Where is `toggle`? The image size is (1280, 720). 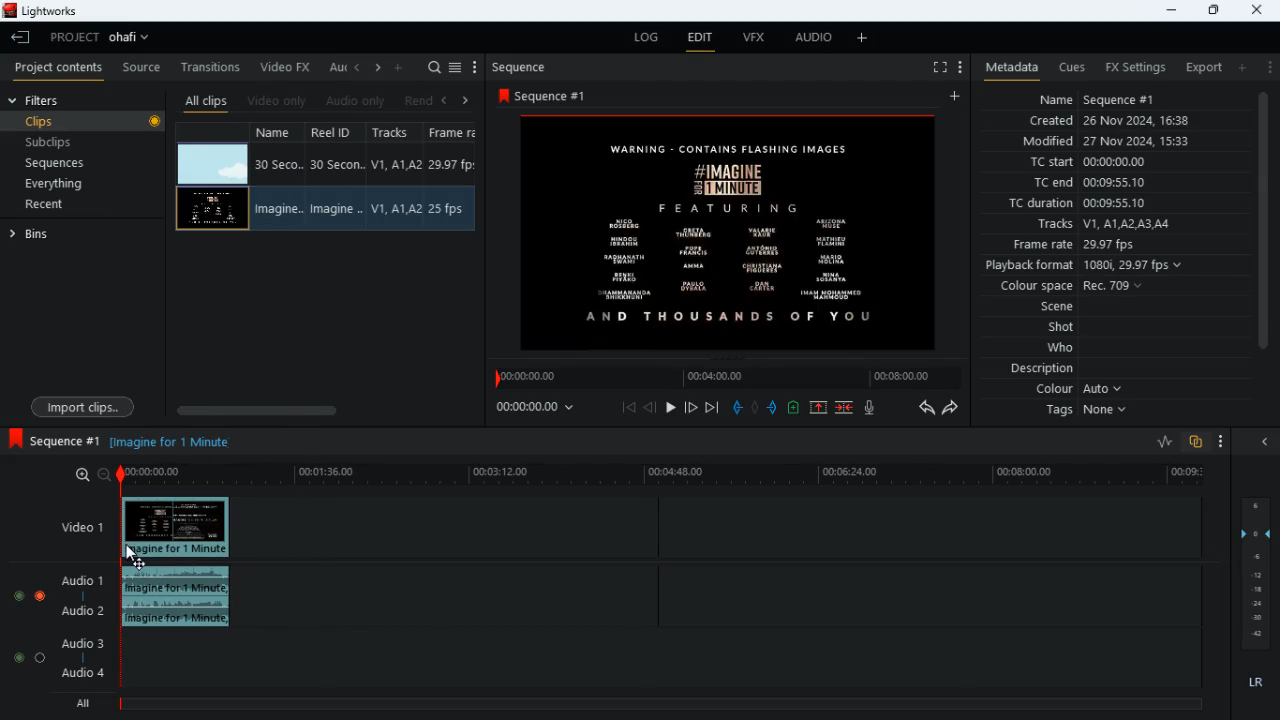
toggle is located at coordinates (18, 597).